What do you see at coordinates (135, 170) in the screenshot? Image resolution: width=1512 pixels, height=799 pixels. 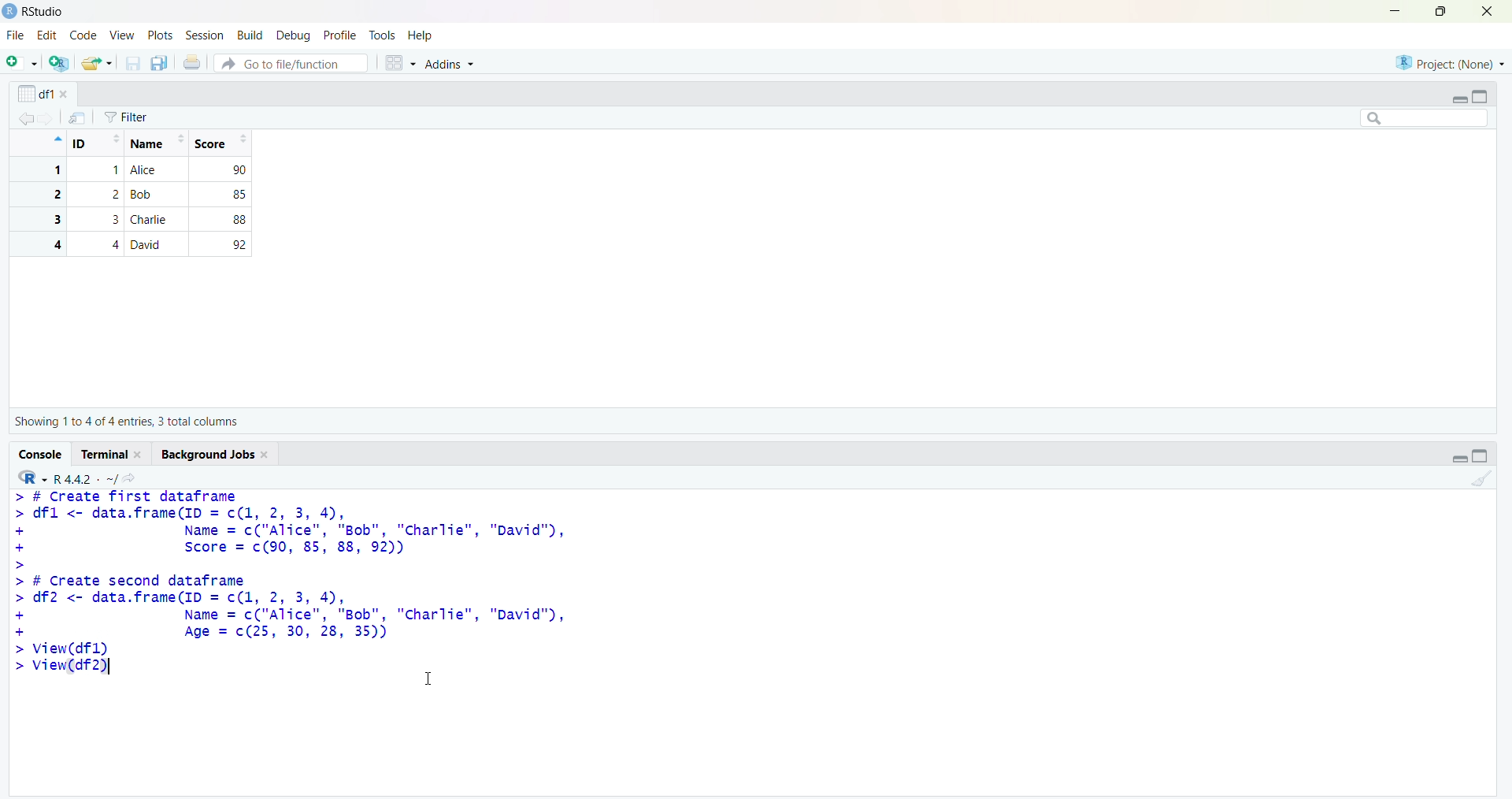 I see `1 1 Alice 90` at bounding box center [135, 170].